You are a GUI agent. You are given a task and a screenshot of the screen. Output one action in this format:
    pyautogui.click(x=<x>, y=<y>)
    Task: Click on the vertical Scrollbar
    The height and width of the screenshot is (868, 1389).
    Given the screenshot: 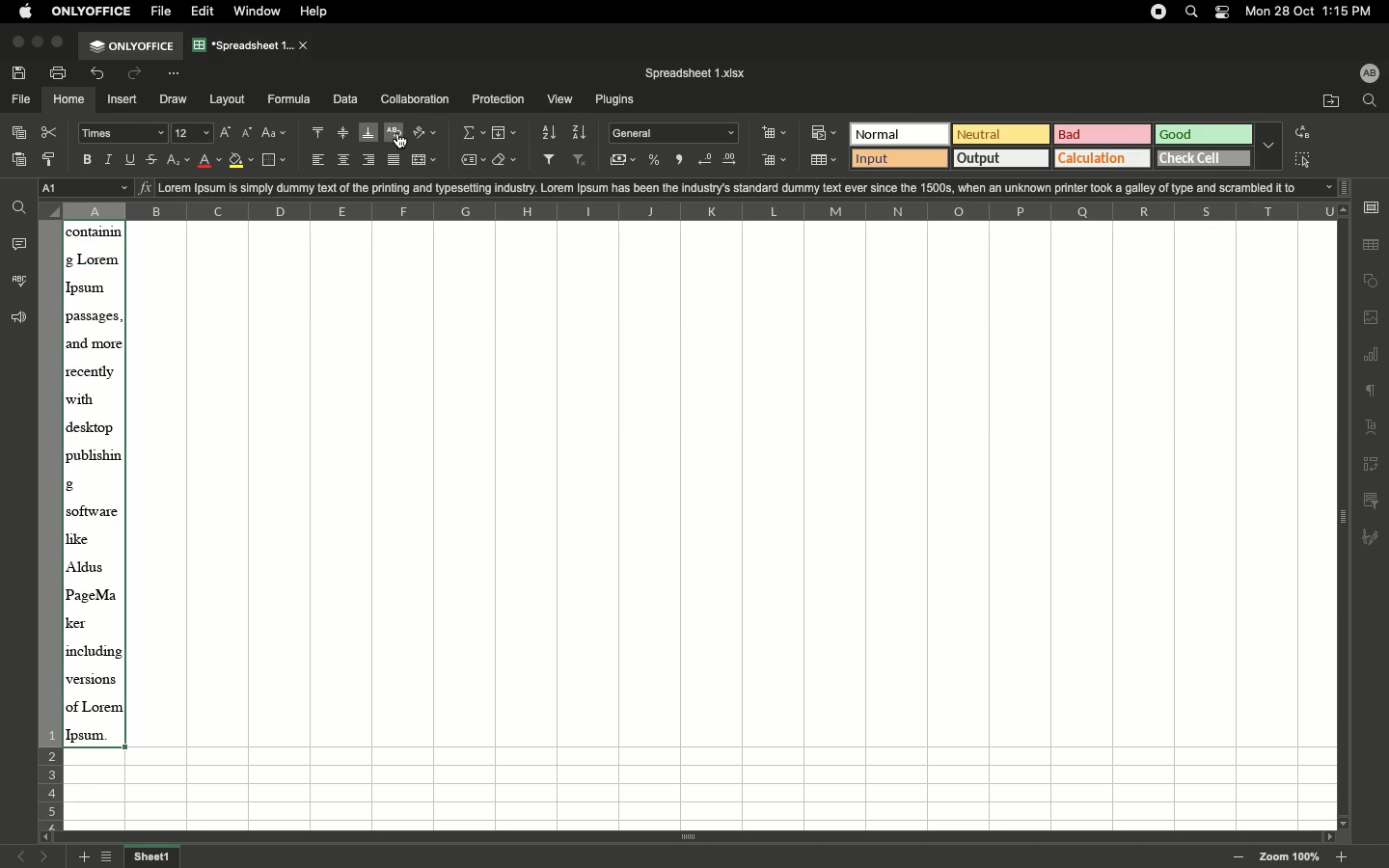 What is the action you would take?
    pyautogui.click(x=1347, y=521)
    